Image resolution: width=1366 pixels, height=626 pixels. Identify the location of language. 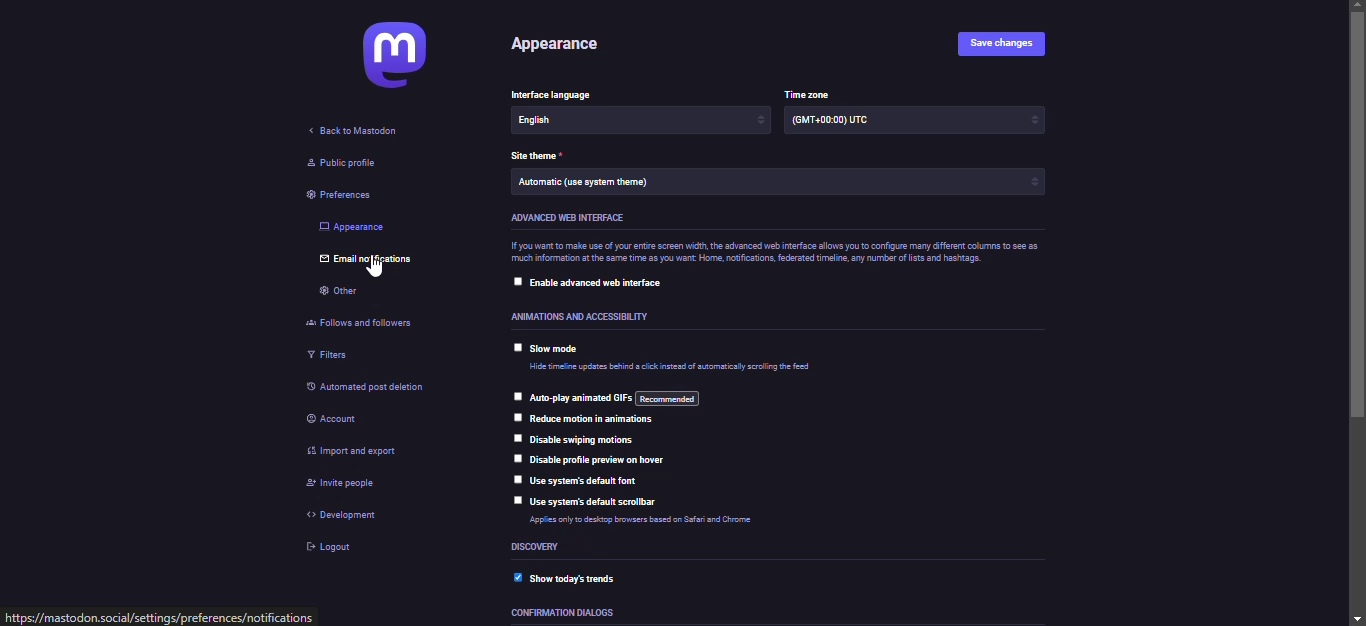
(557, 94).